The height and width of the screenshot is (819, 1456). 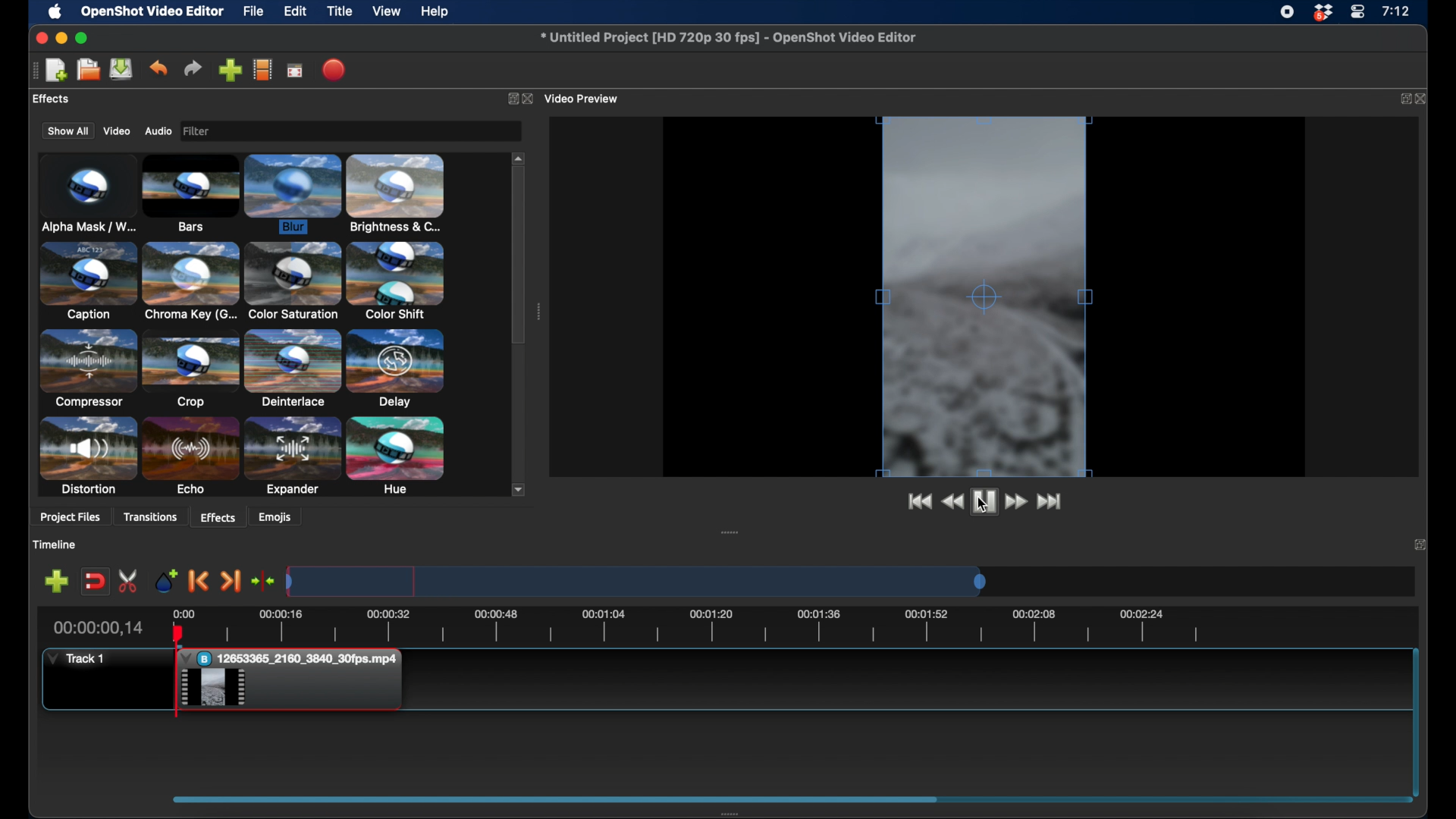 I want to click on current time indicator, so click(x=99, y=628).